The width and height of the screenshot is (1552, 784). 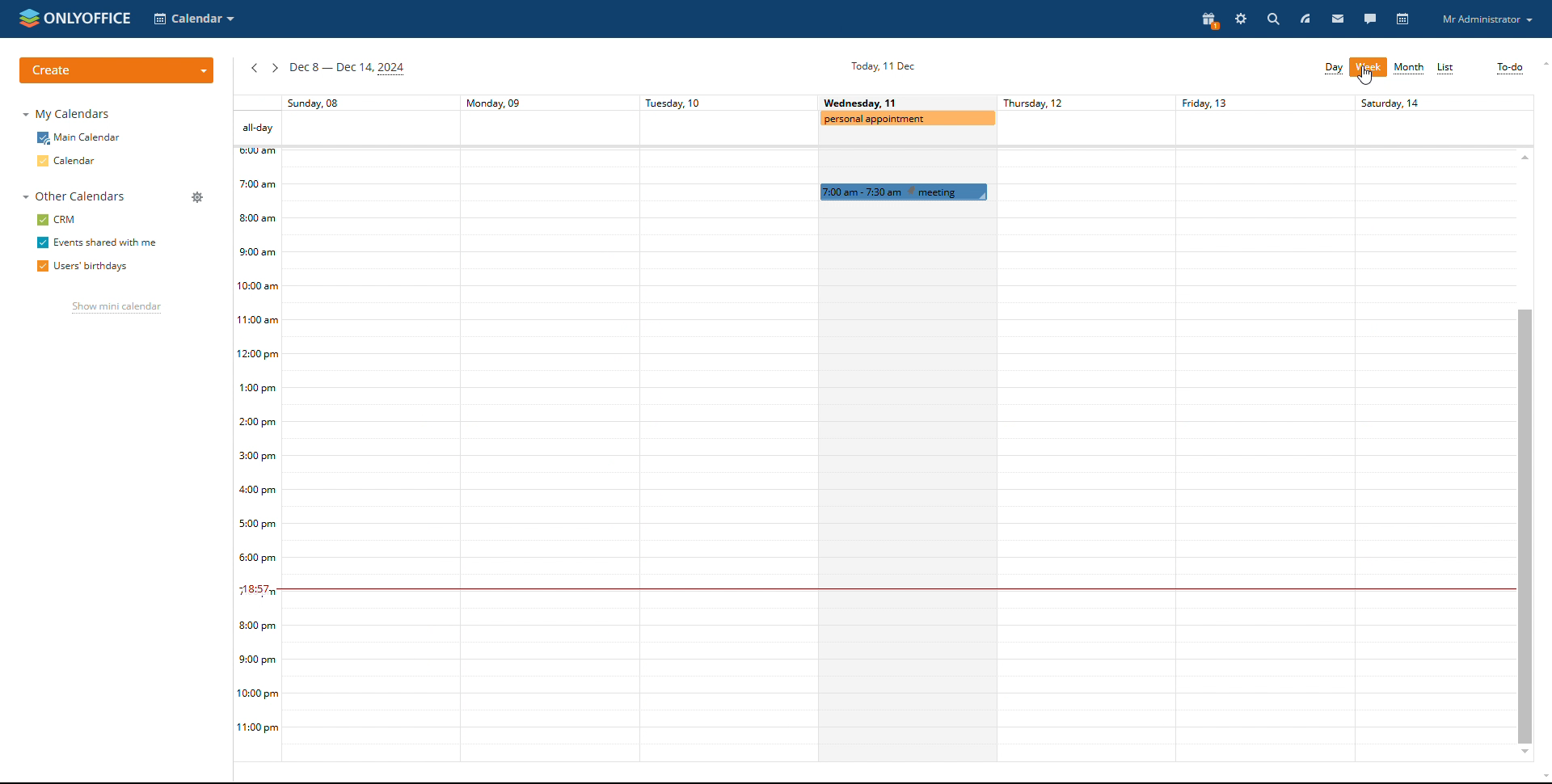 I want to click on users' birthday, so click(x=83, y=266).